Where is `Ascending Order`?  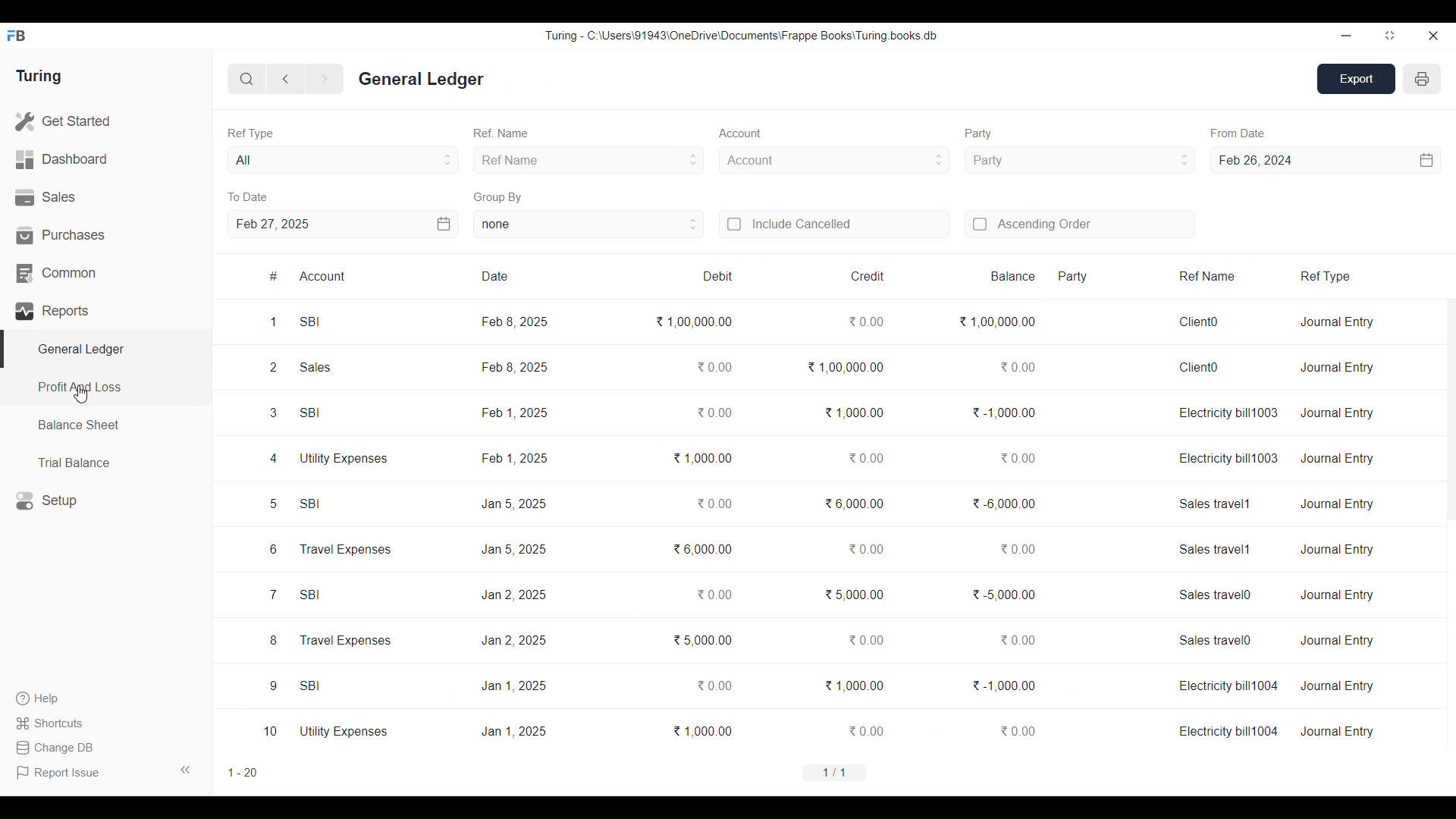
Ascending Order is located at coordinates (1080, 224).